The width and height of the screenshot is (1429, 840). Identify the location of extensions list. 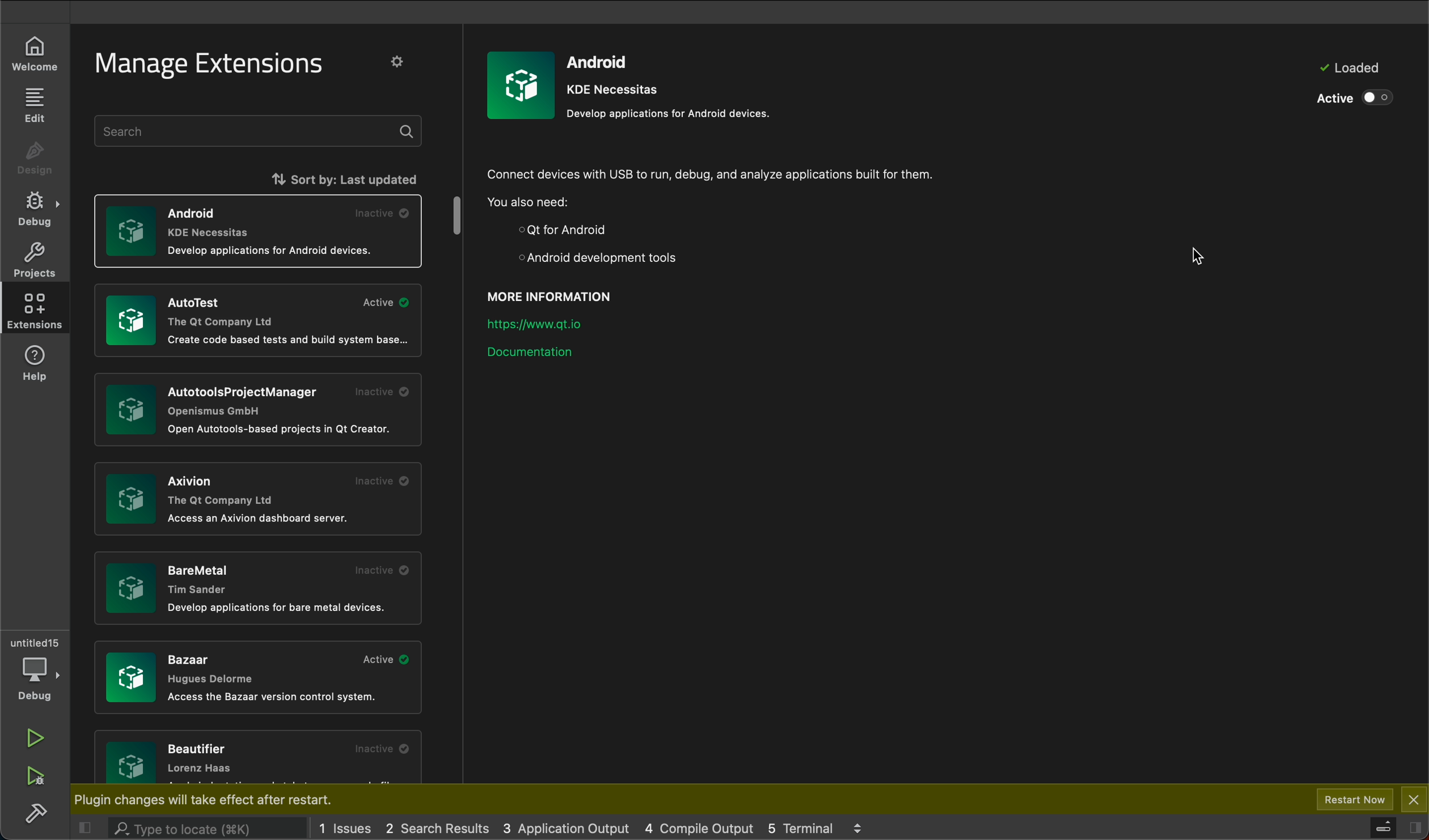
(262, 232).